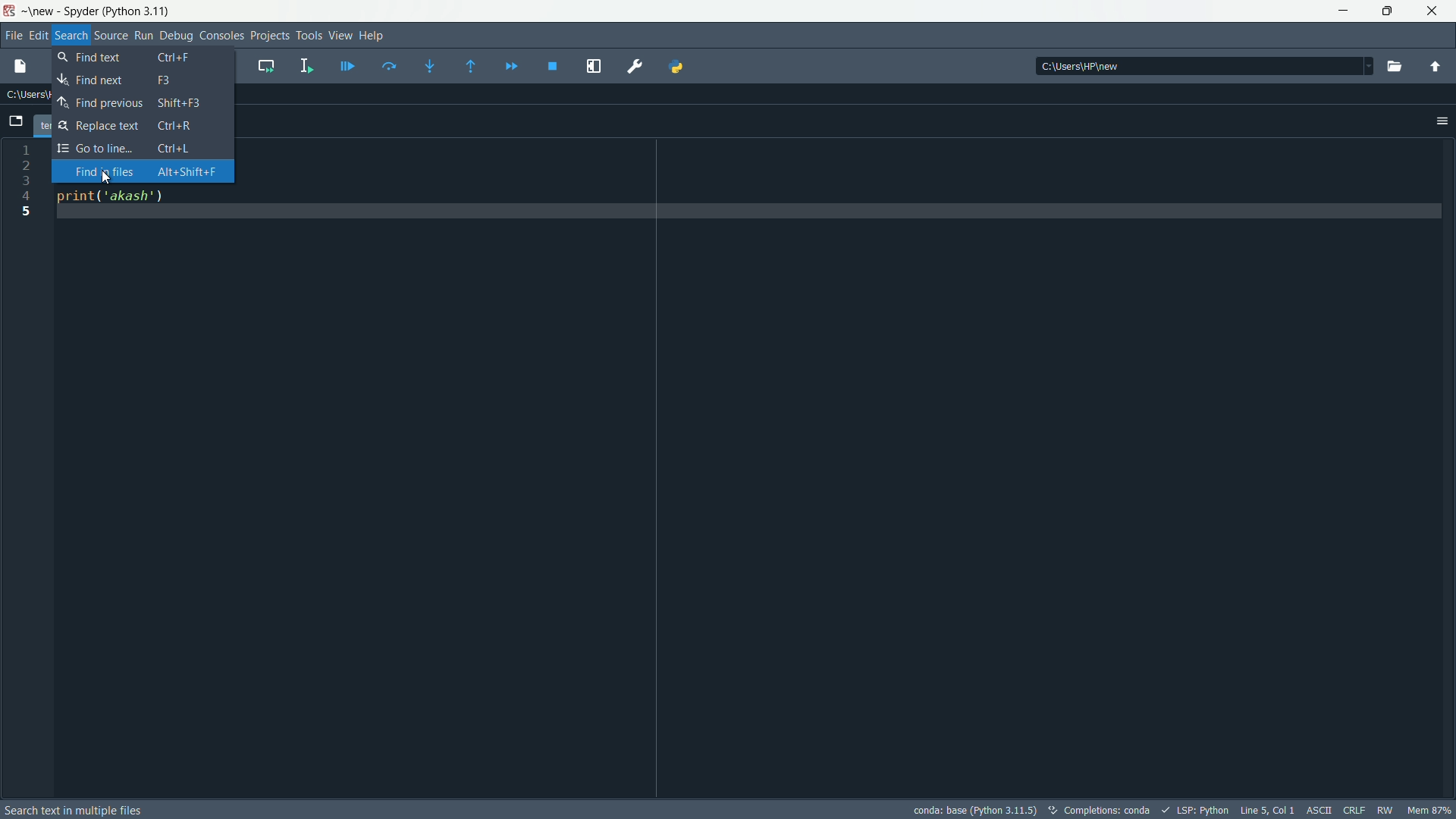  Describe the element at coordinates (1344, 12) in the screenshot. I see `minimum` at that location.